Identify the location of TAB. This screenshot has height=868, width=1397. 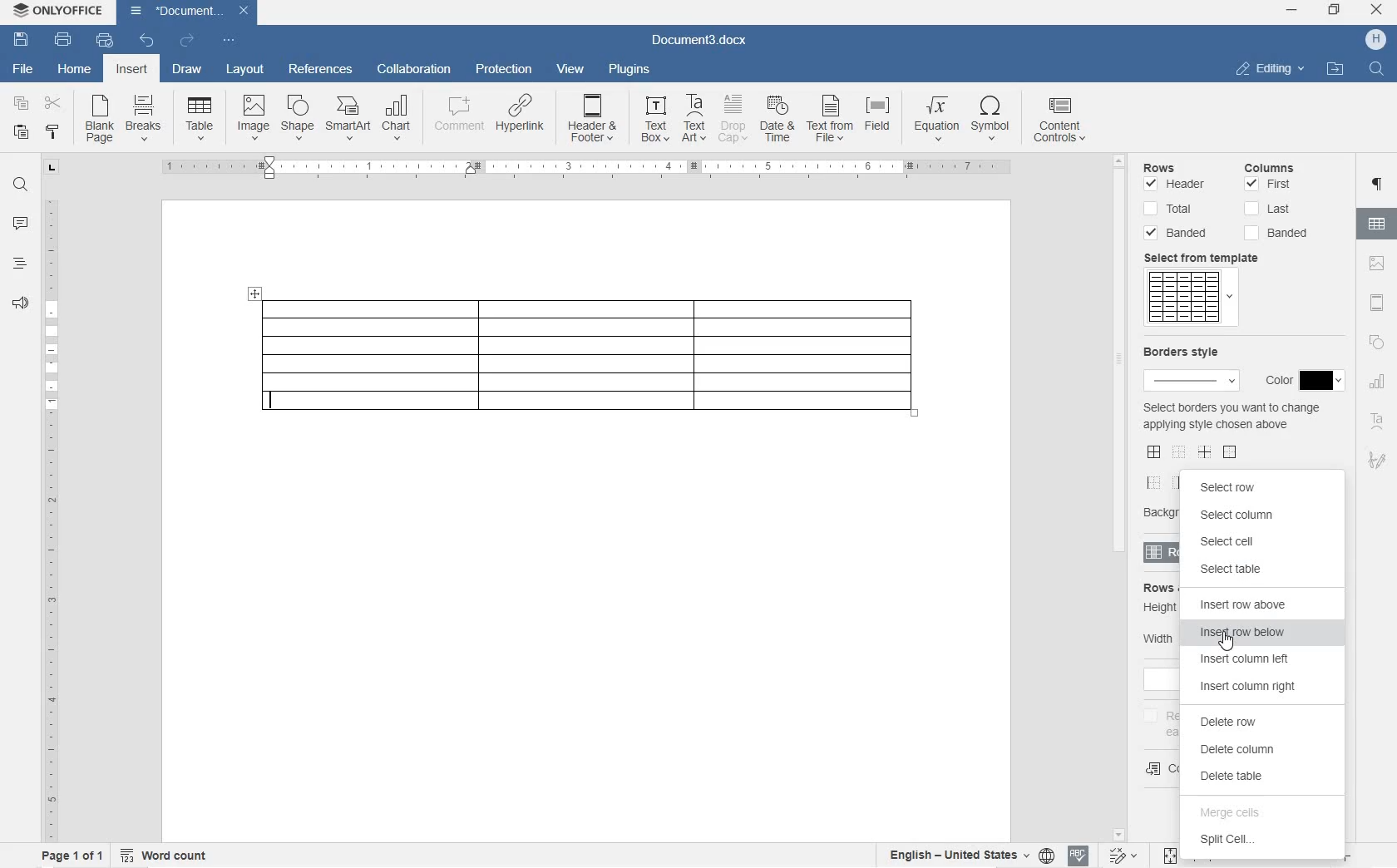
(52, 170).